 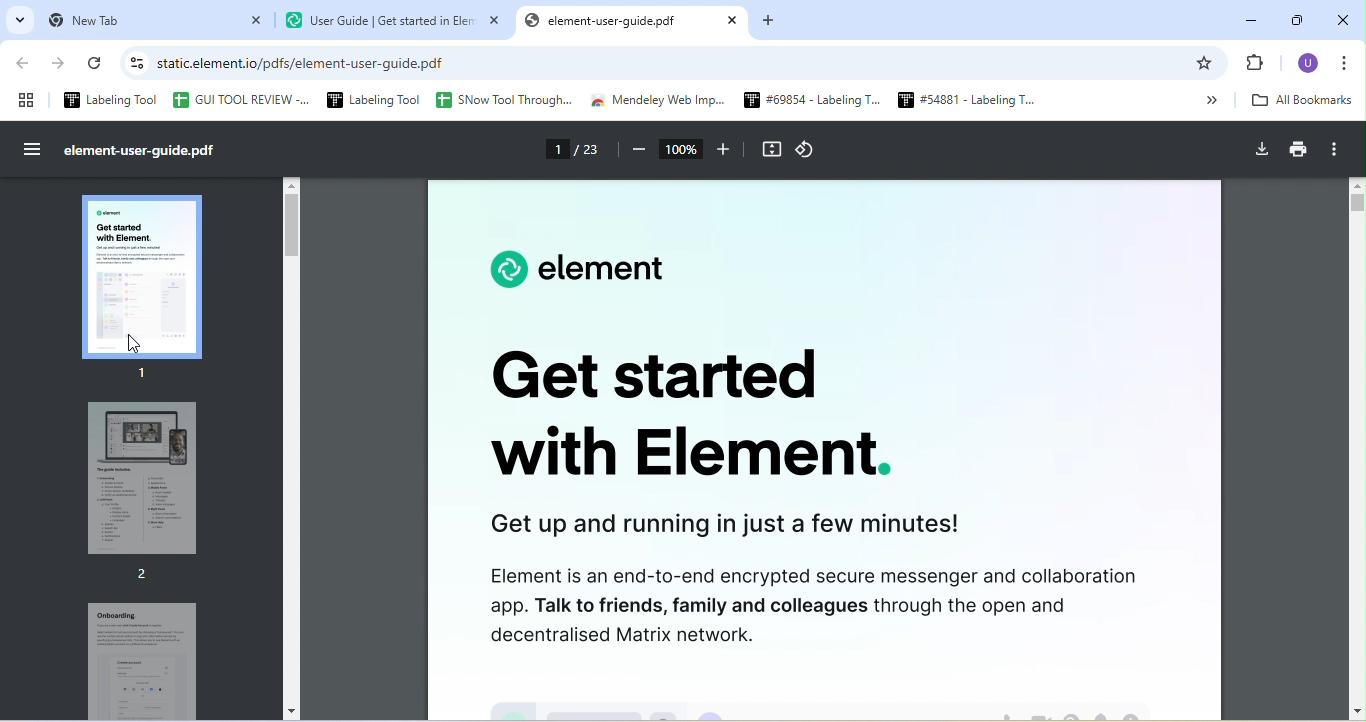 I want to click on See site information, so click(x=134, y=65).